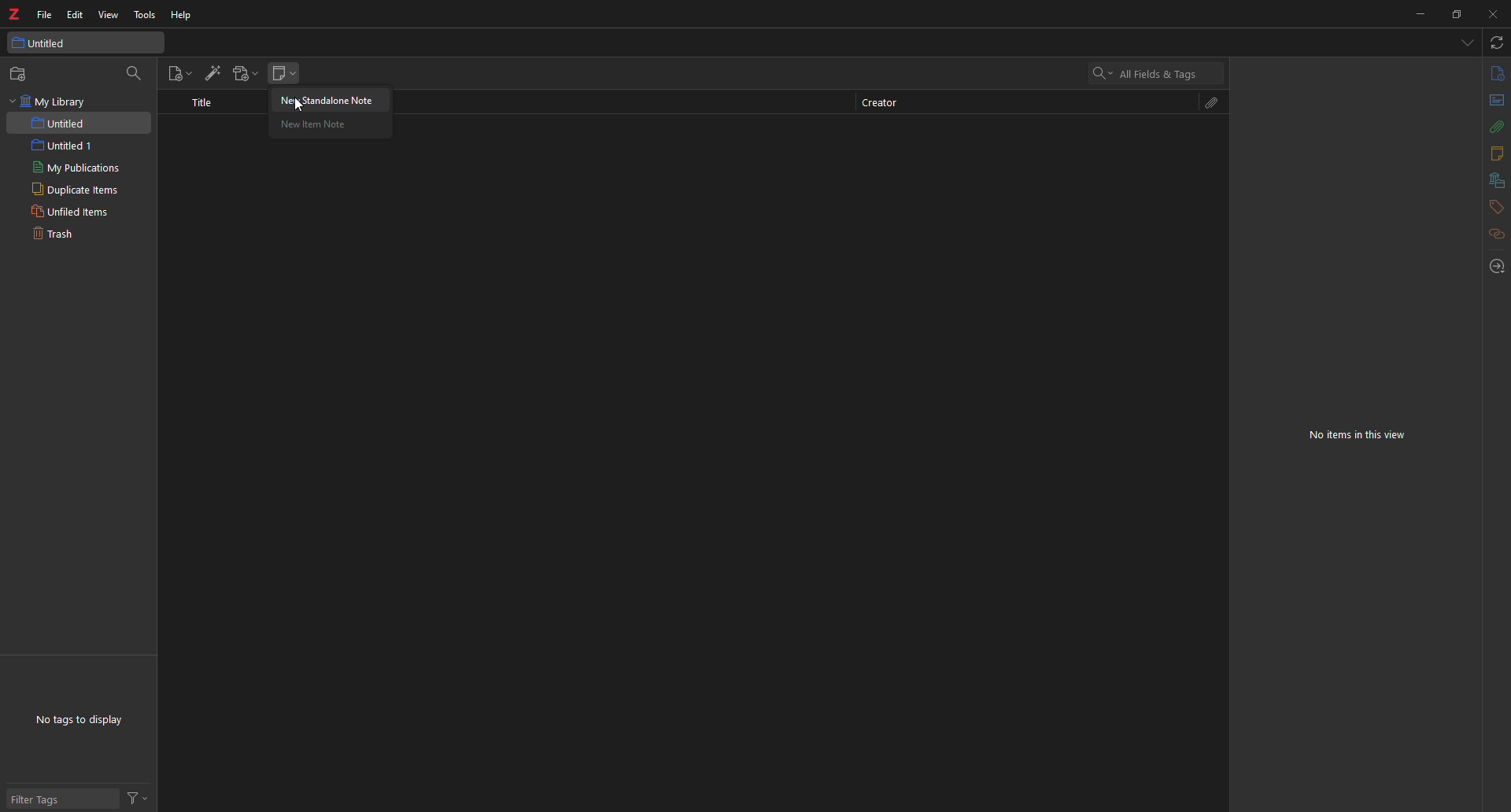 The height and width of the screenshot is (812, 1511). Describe the element at coordinates (317, 126) in the screenshot. I see `new item note` at that location.